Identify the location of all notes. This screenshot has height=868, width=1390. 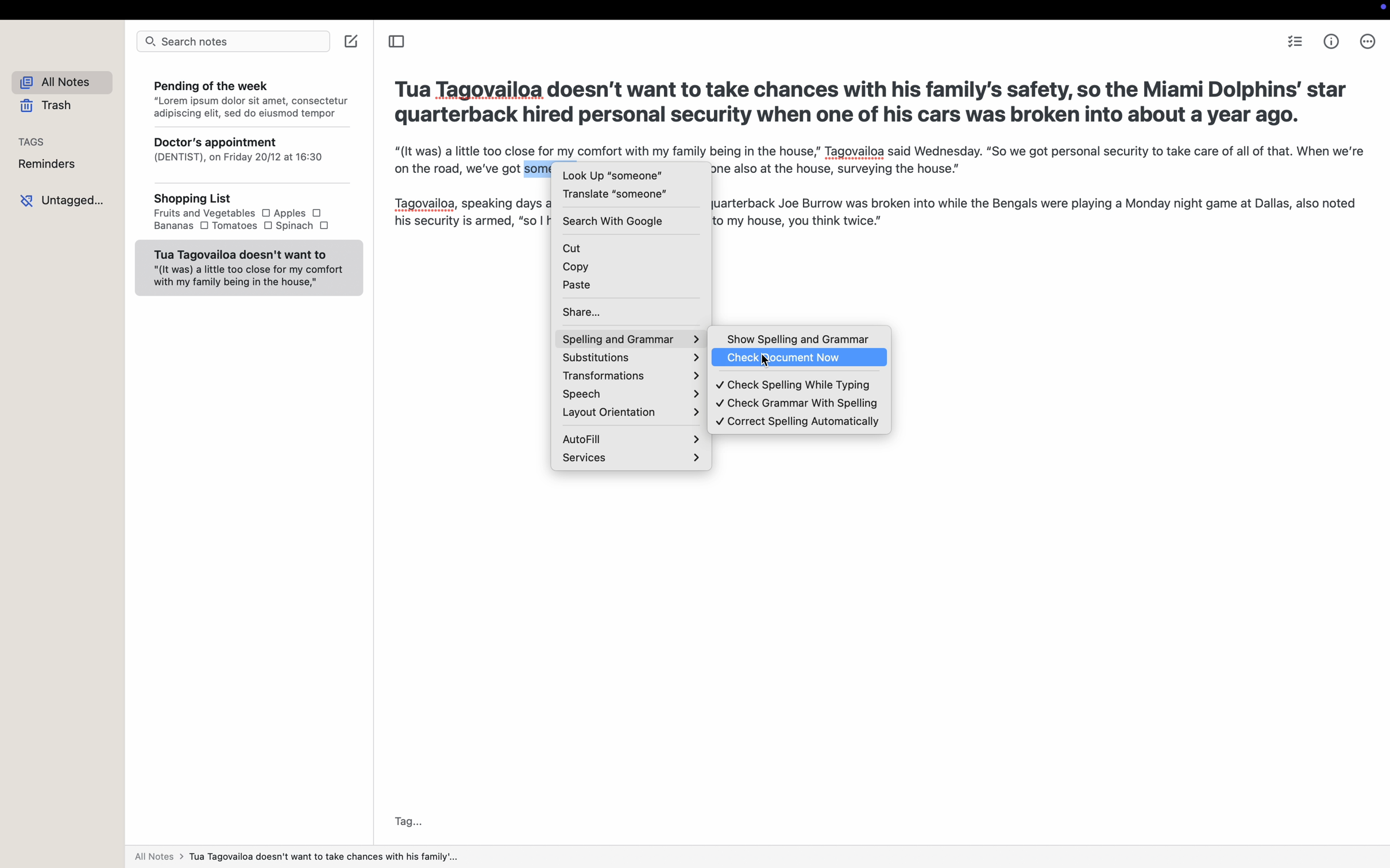
(56, 80).